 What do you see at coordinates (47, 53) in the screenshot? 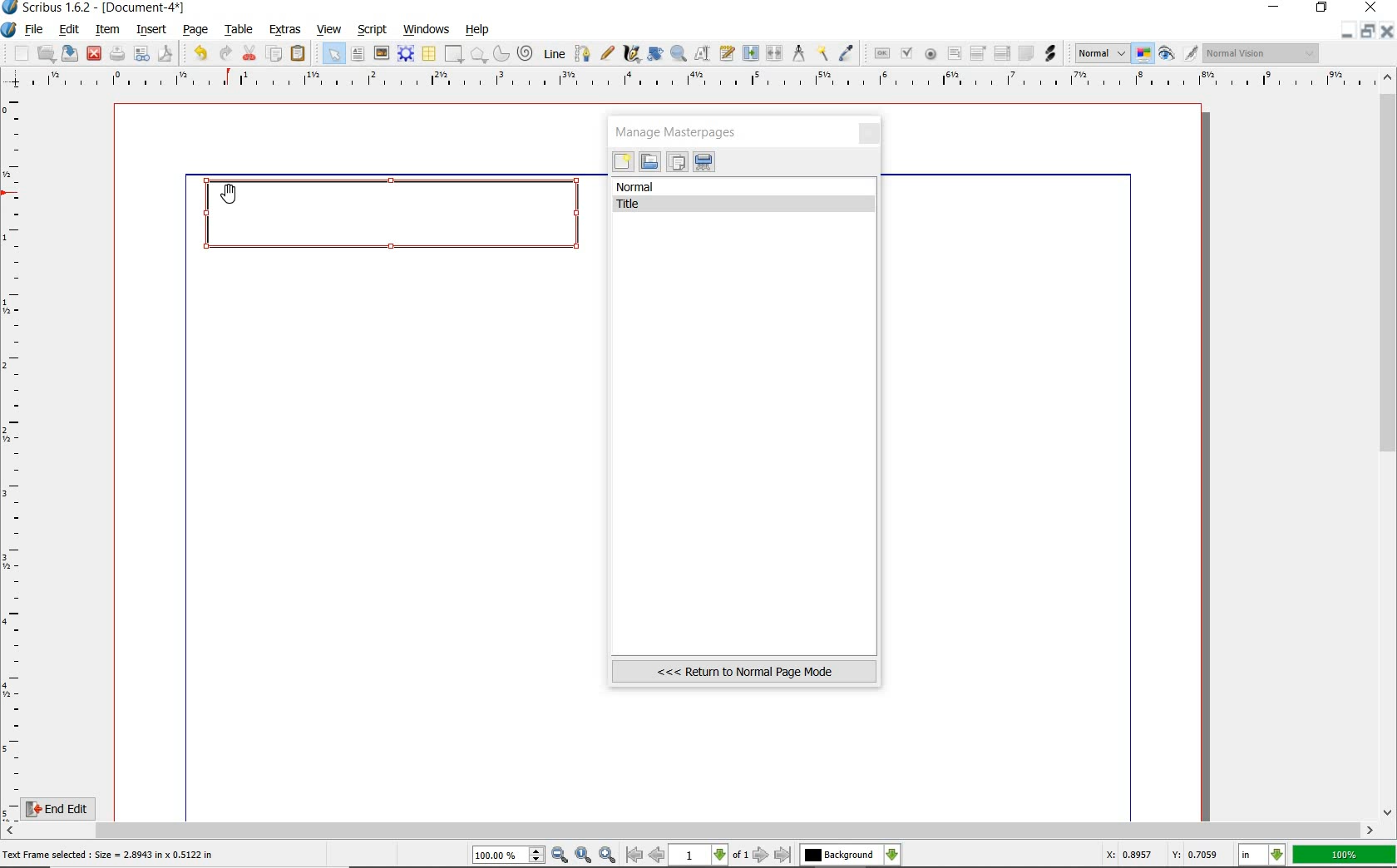
I see `open` at bounding box center [47, 53].